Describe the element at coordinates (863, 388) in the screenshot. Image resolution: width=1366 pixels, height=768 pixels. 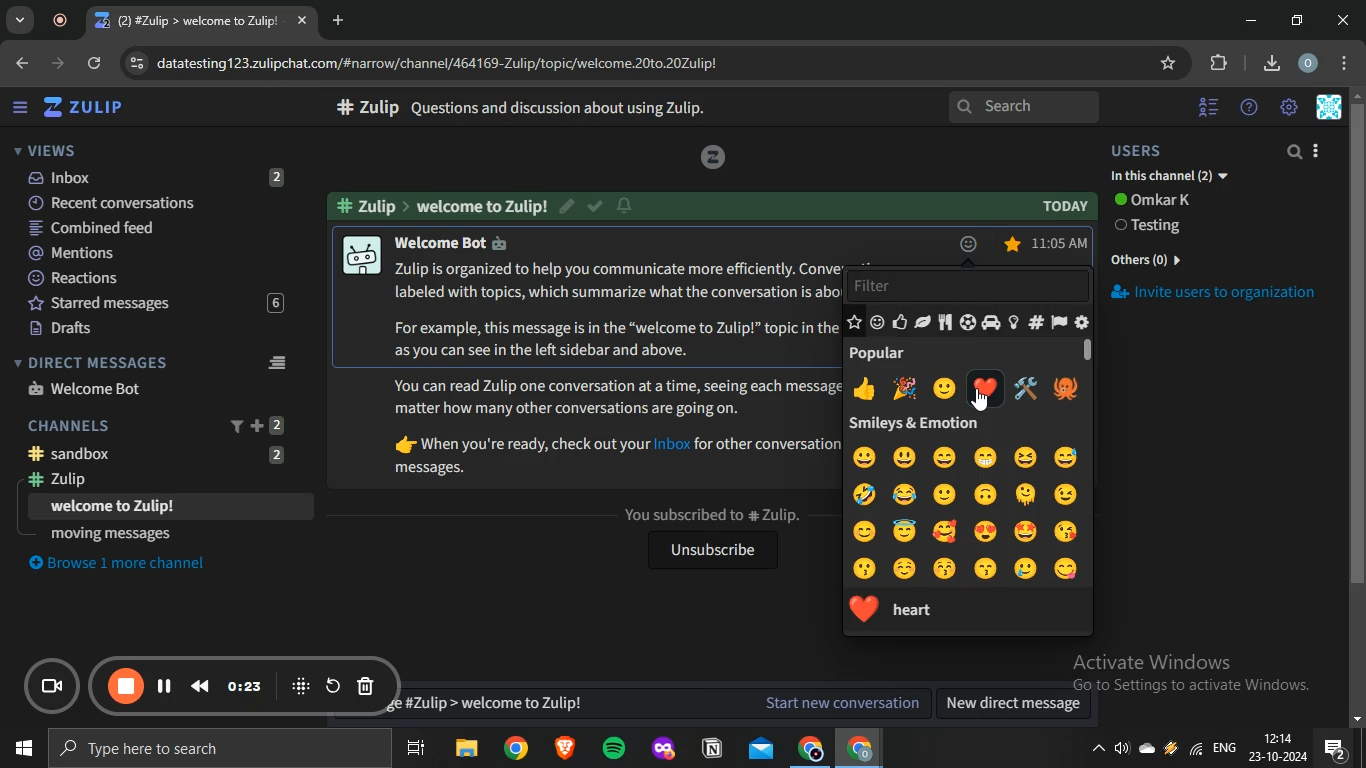
I see `+1` at that location.